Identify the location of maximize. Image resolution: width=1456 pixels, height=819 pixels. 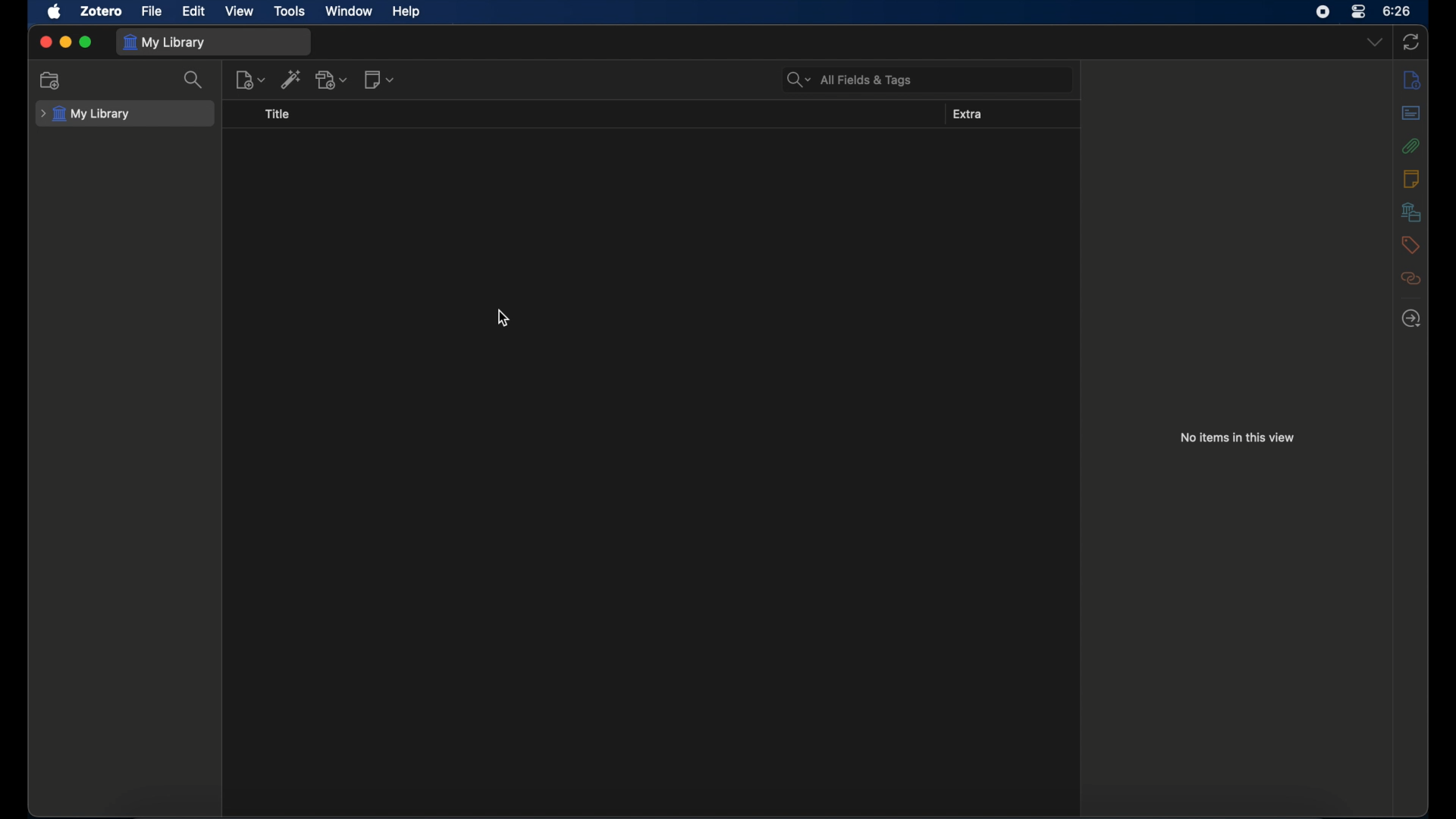
(86, 42).